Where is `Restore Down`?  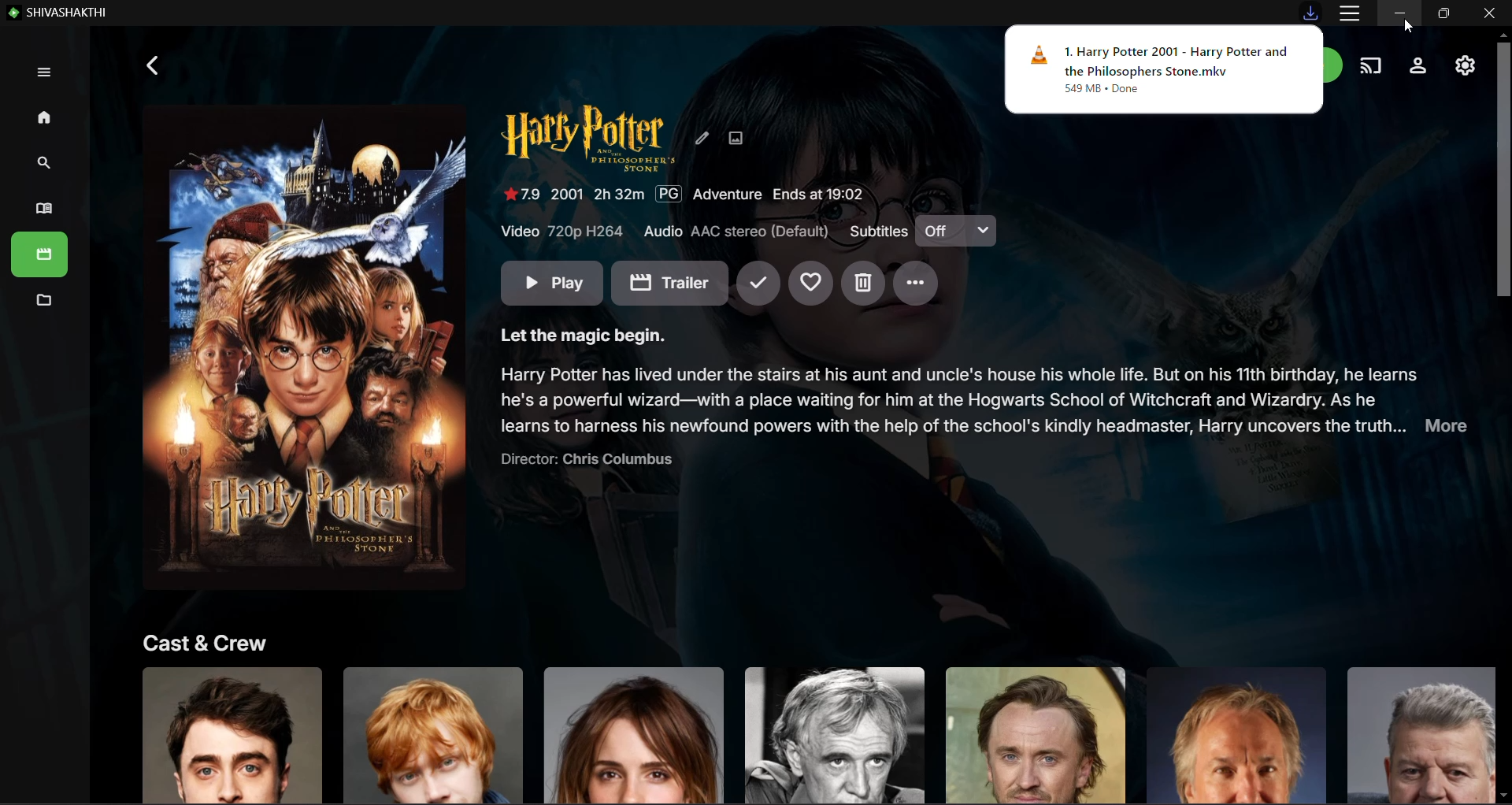 Restore Down is located at coordinates (1443, 13).